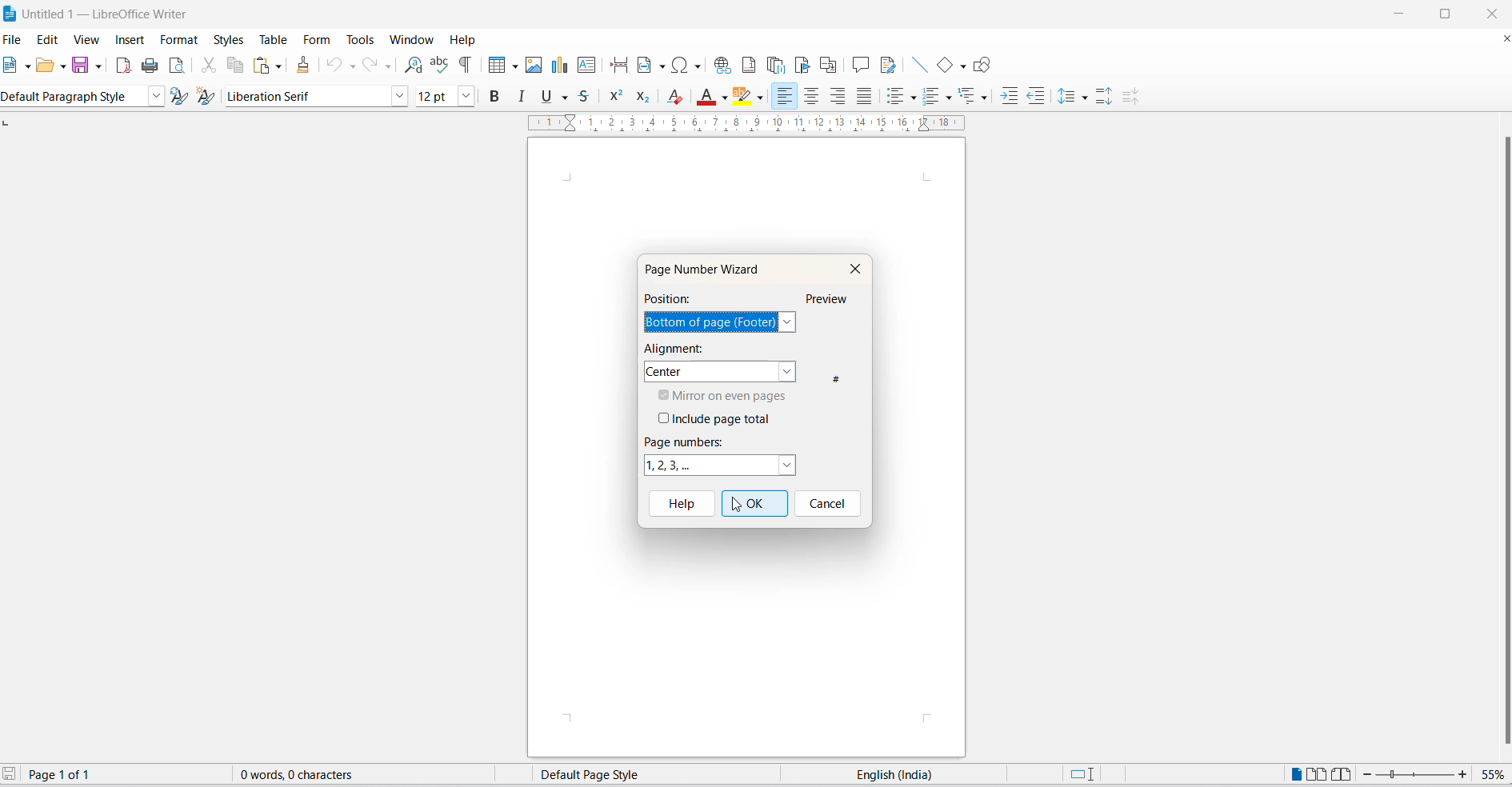  What do you see at coordinates (10, 65) in the screenshot?
I see `new file` at bounding box center [10, 65].